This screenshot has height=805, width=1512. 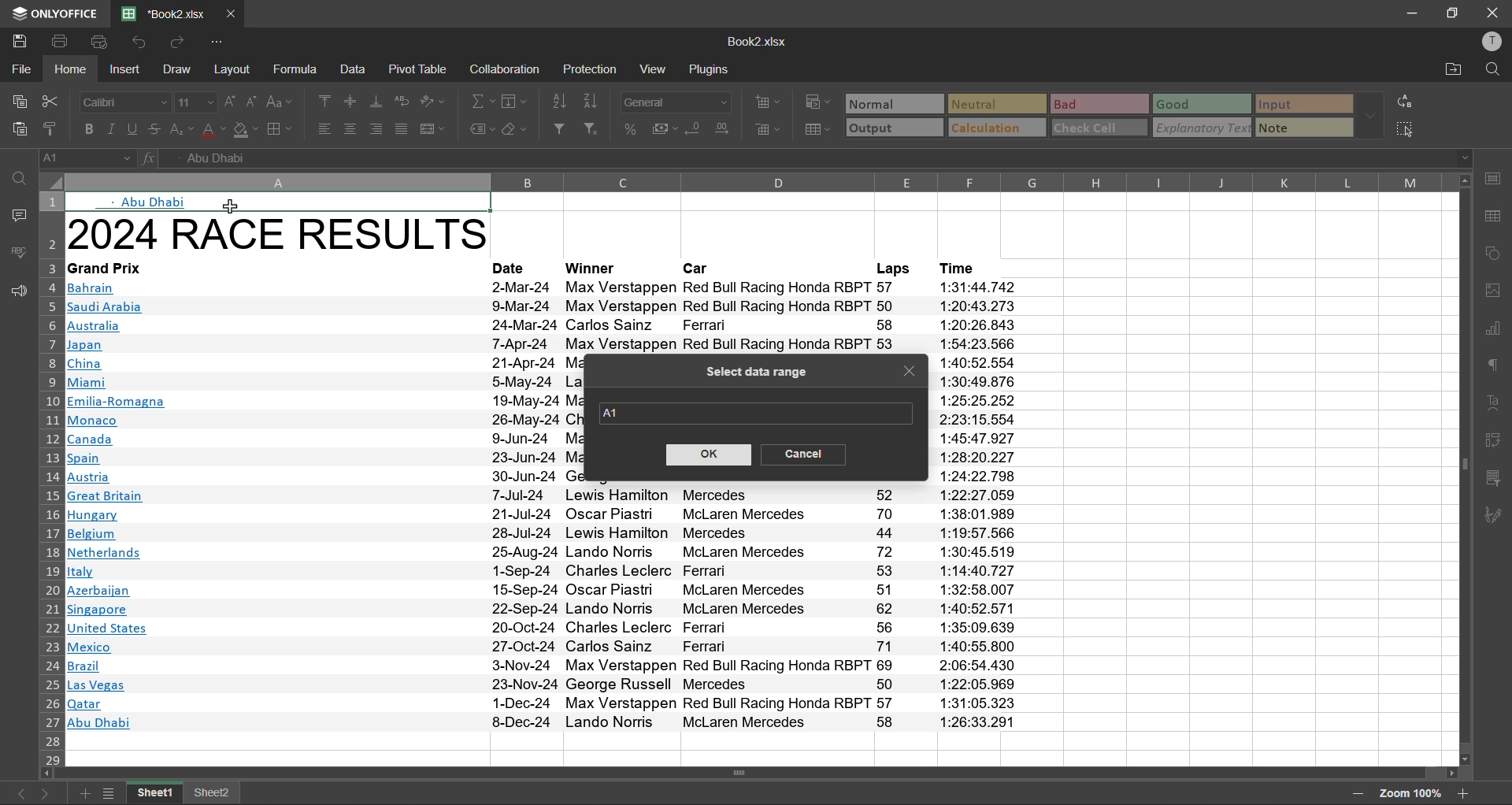 What do you see at coordinates (1493, 69) in the screenshot?
I see `find` at bounding box center [1493, 69].